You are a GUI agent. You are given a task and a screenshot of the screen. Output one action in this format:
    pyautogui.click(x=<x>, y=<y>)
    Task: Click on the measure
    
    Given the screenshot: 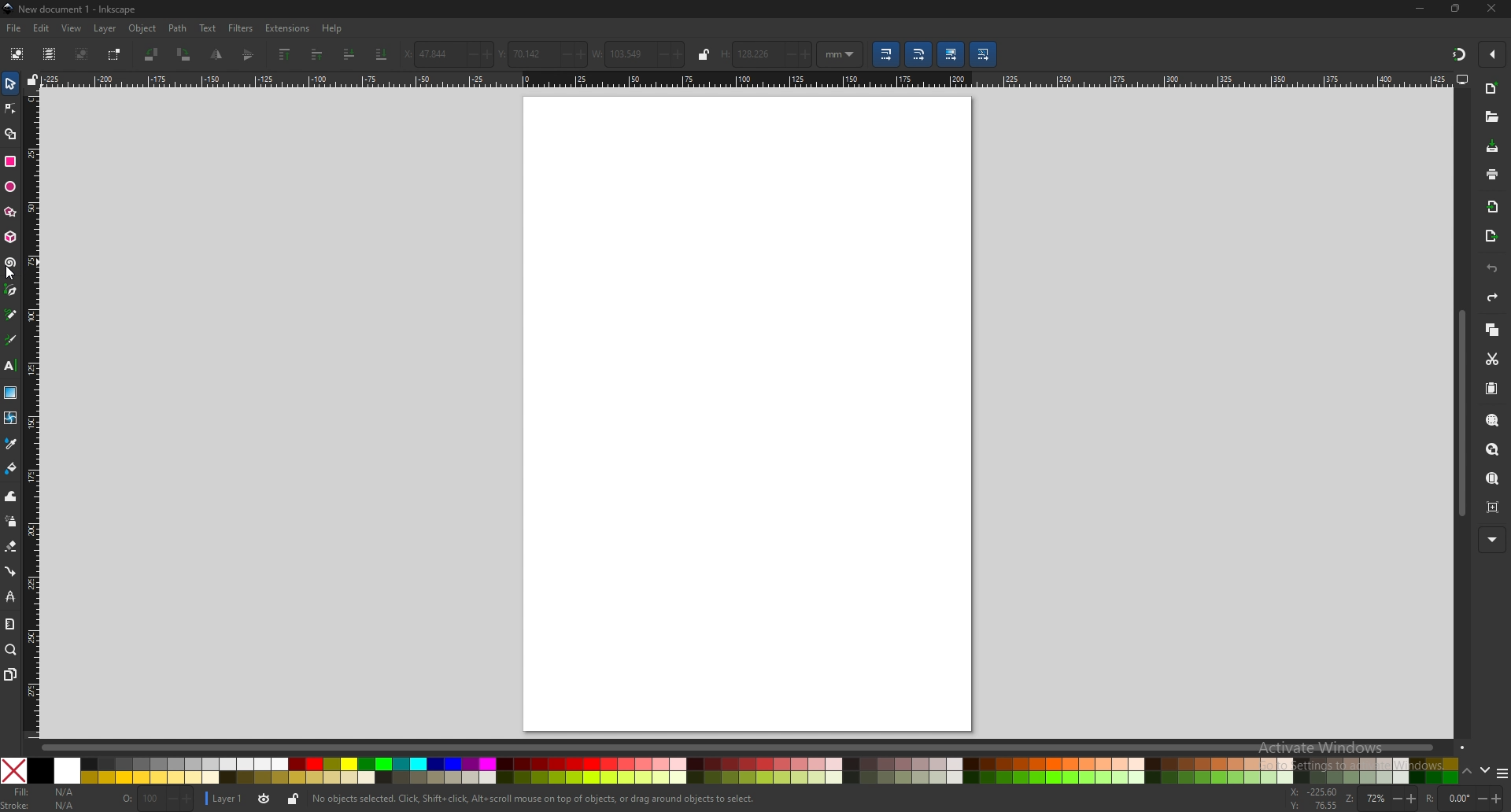 What is the action you would take?
    pyautogui.click(x=10, y=624)
    